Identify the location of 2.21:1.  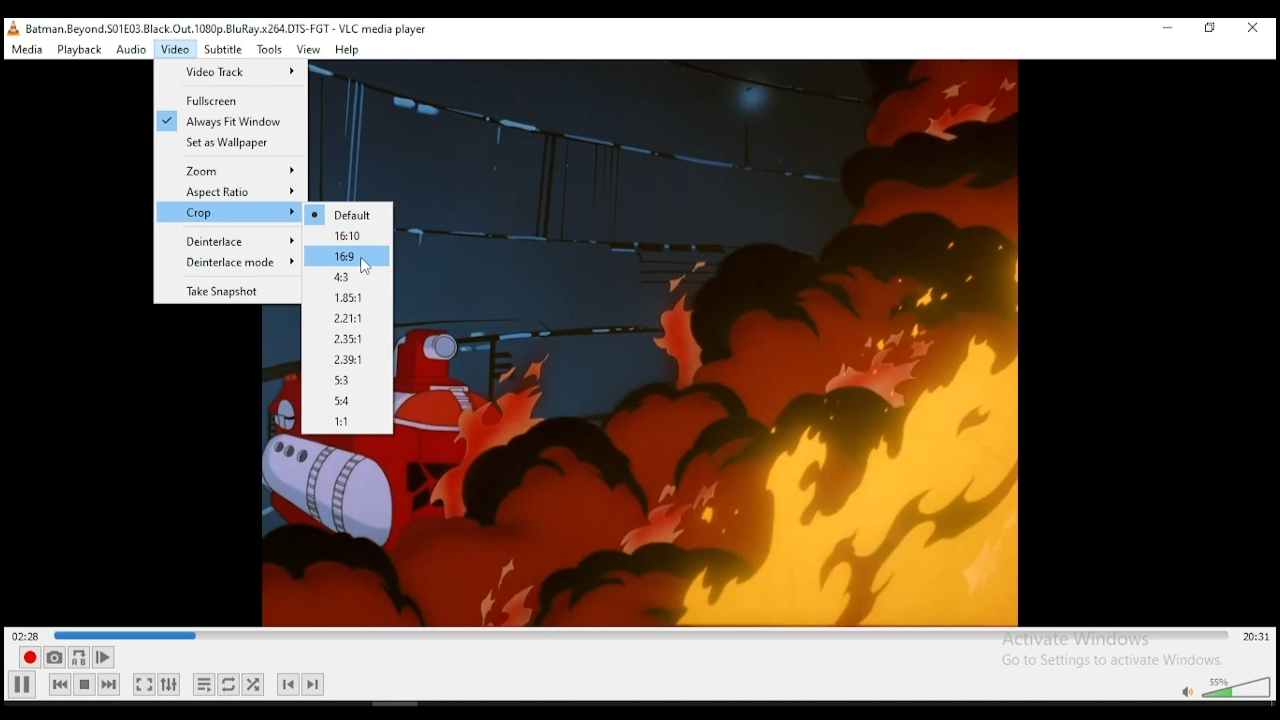
(347, 317).